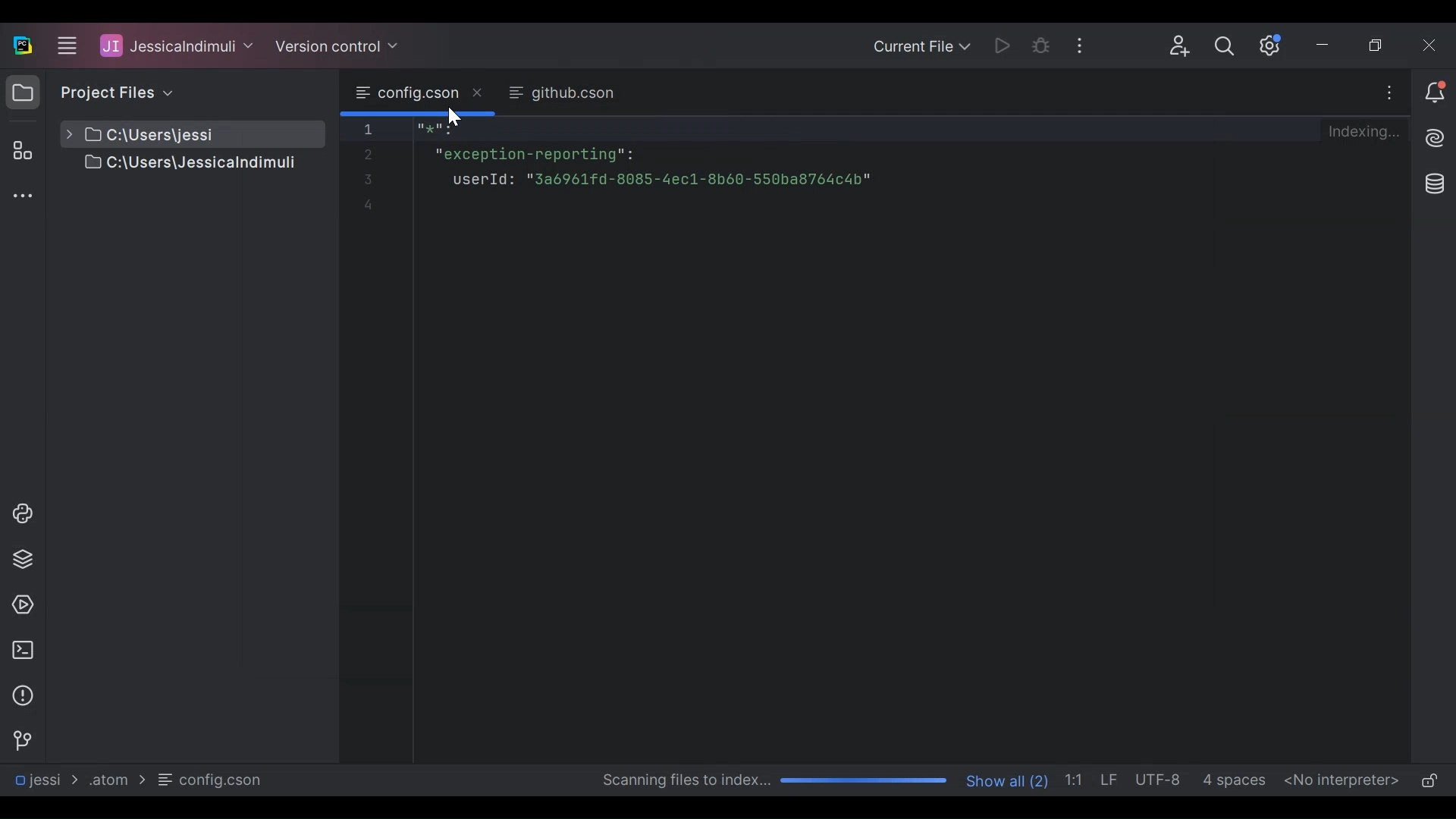  What do you see at coordinates (1161, 780) in the screenshot?
I see `File Encoding` at bounding box center [1161, 780].